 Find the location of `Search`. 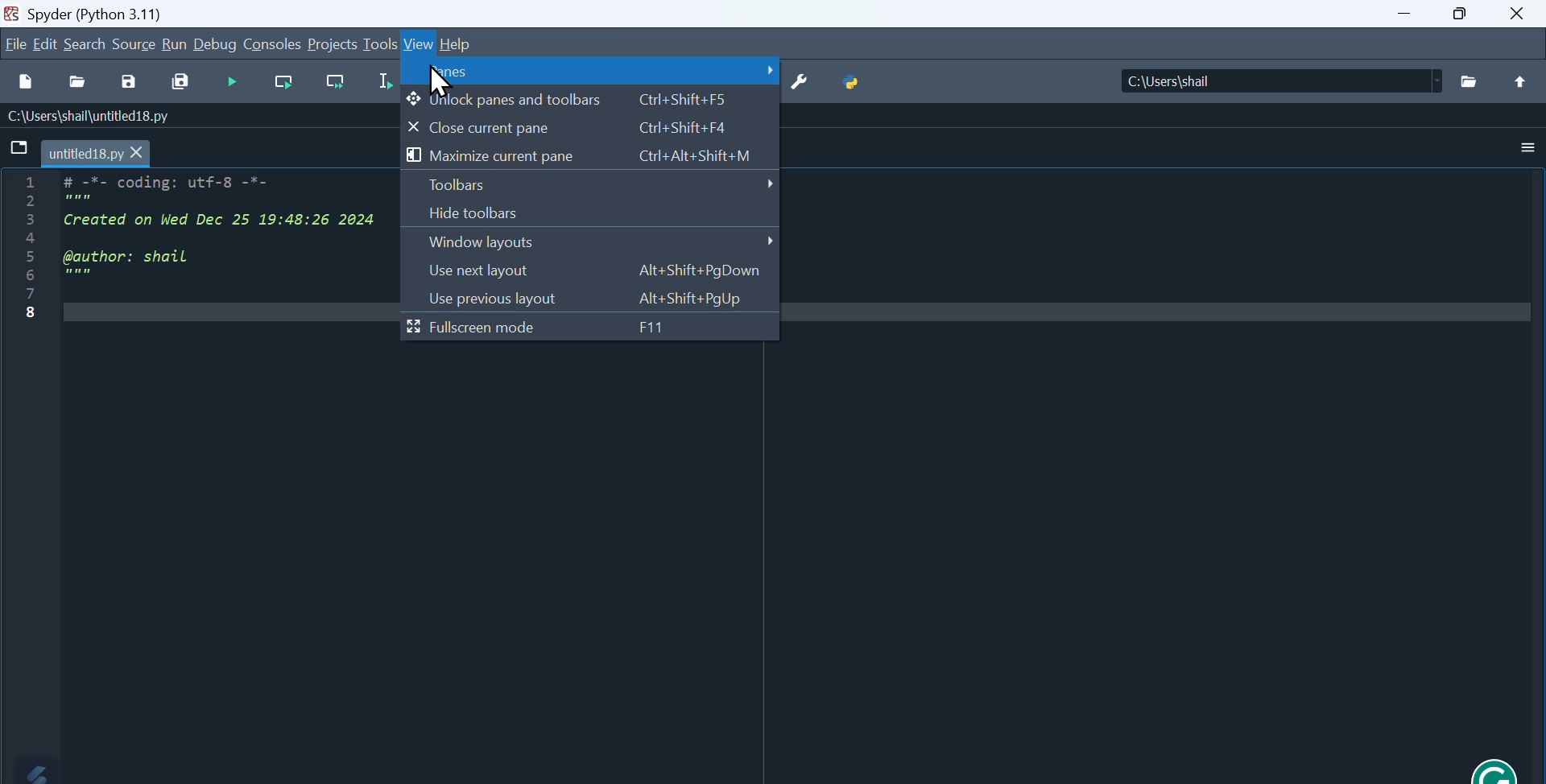

Search is located at coordinates (87, 44).